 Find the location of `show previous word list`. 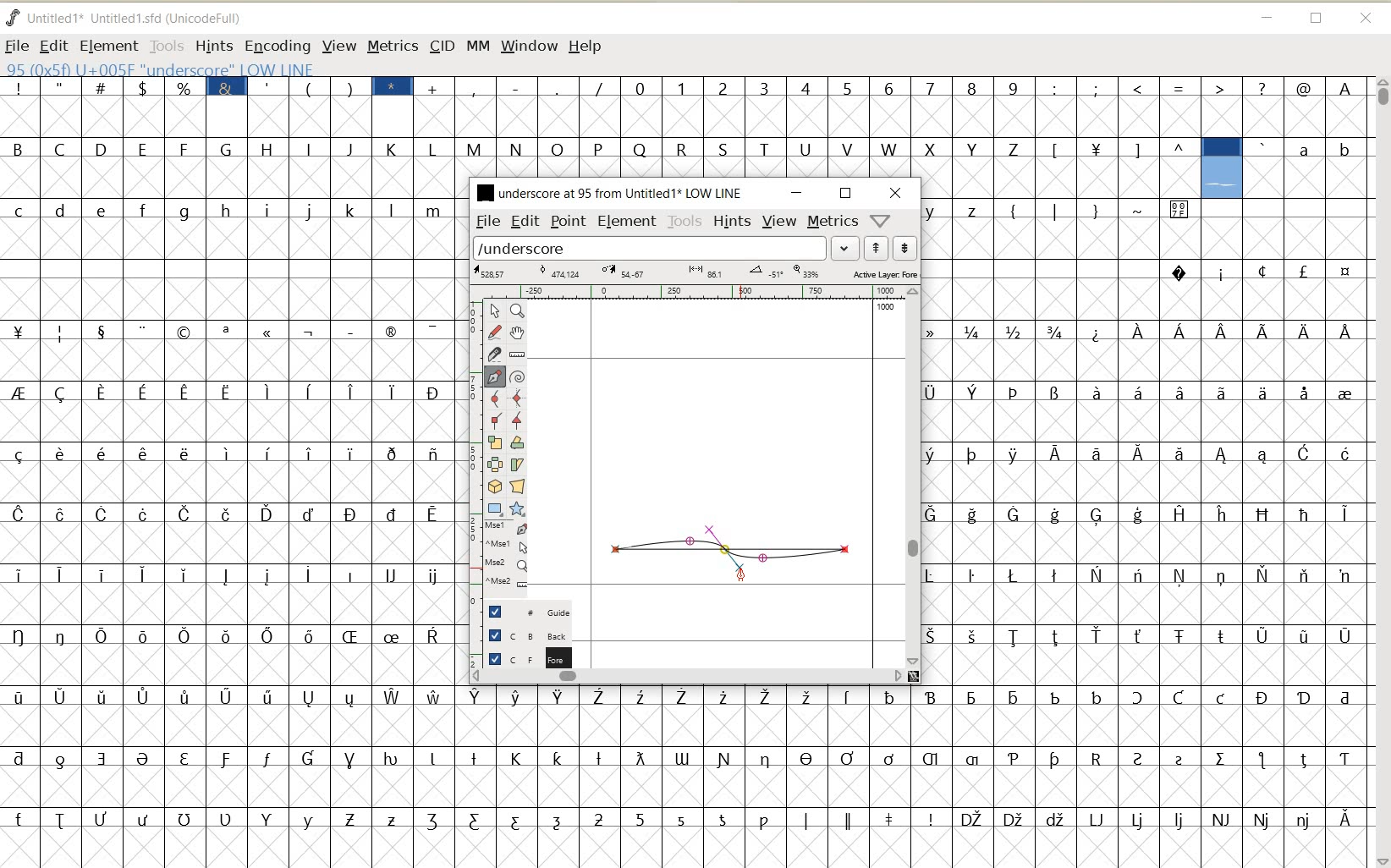

show previous word list is located at coordinates (877, 248).